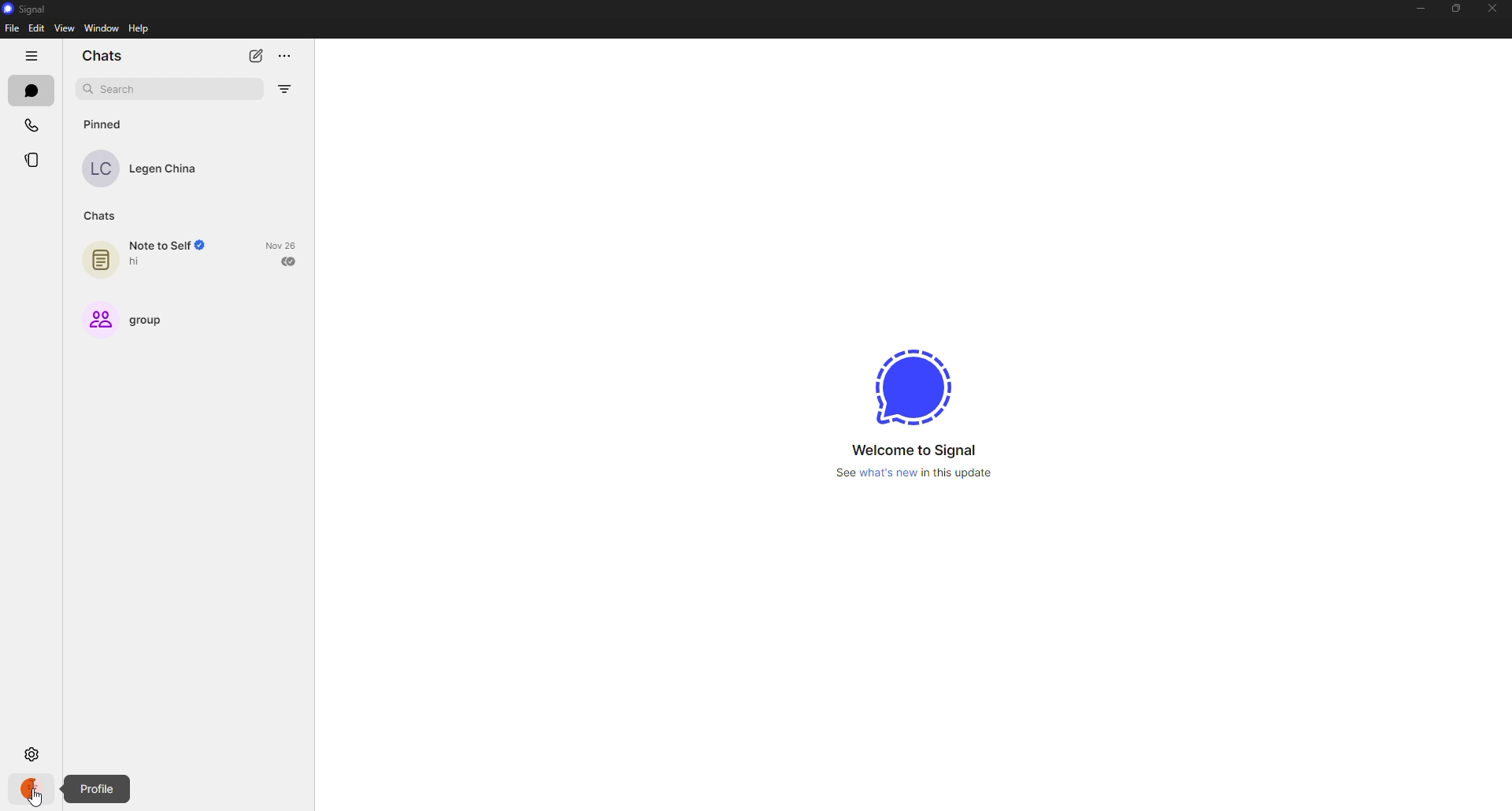  I want to click on pinned, so click(107, 124).